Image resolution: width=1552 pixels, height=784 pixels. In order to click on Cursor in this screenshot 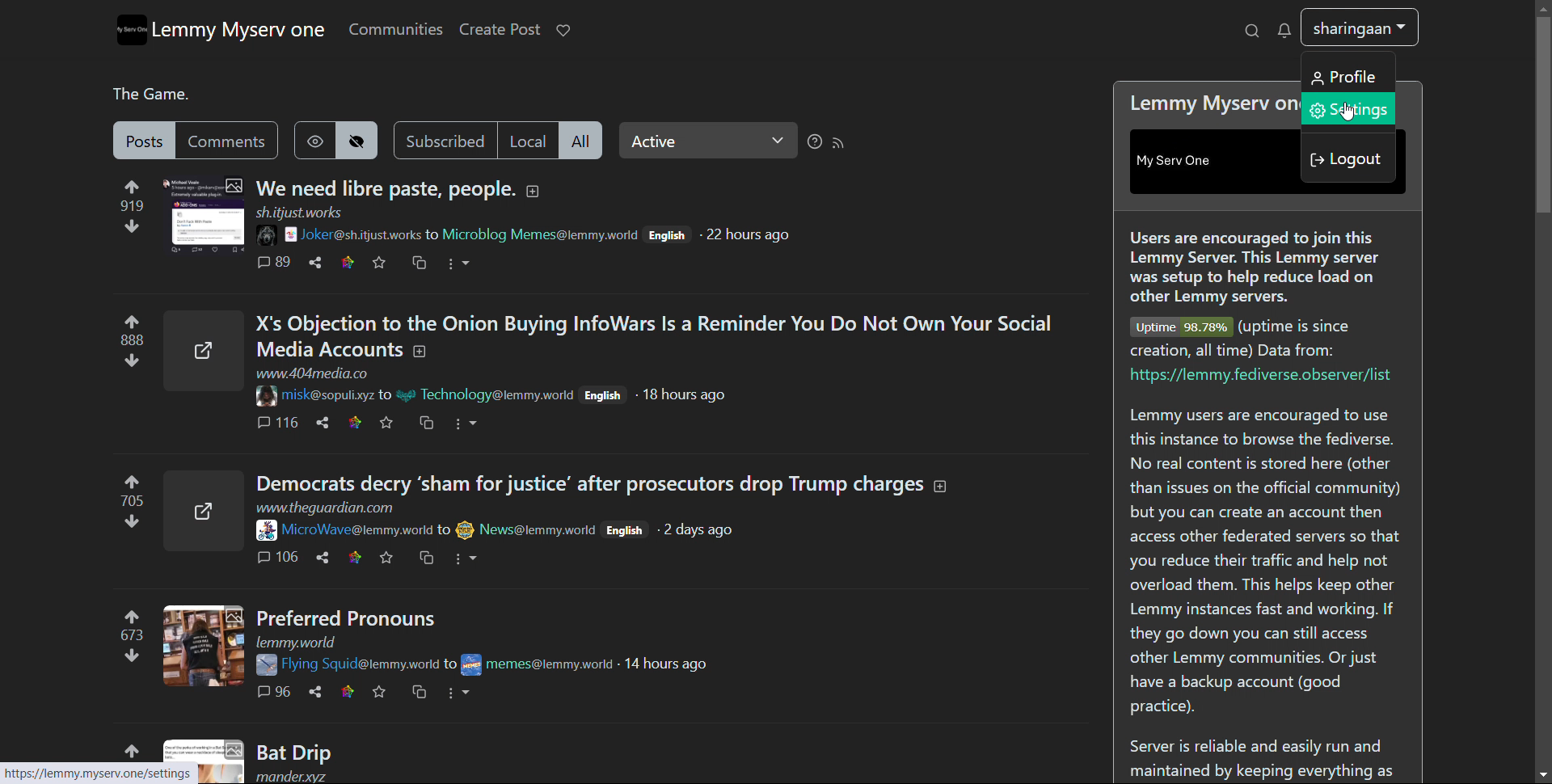, I will do `click(1342, 112)`.